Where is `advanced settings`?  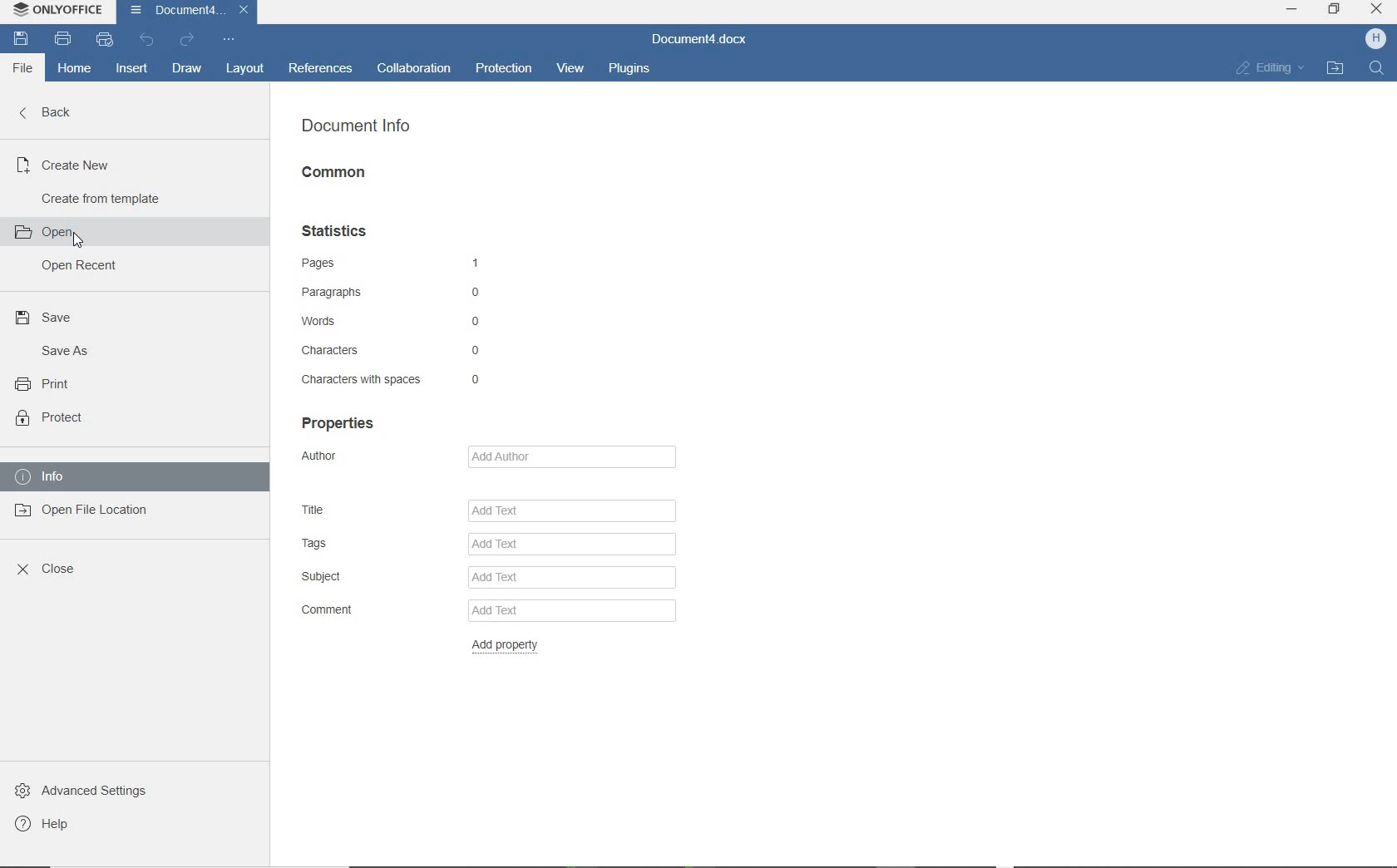
advanced settings is located at coordinates (84, 789).